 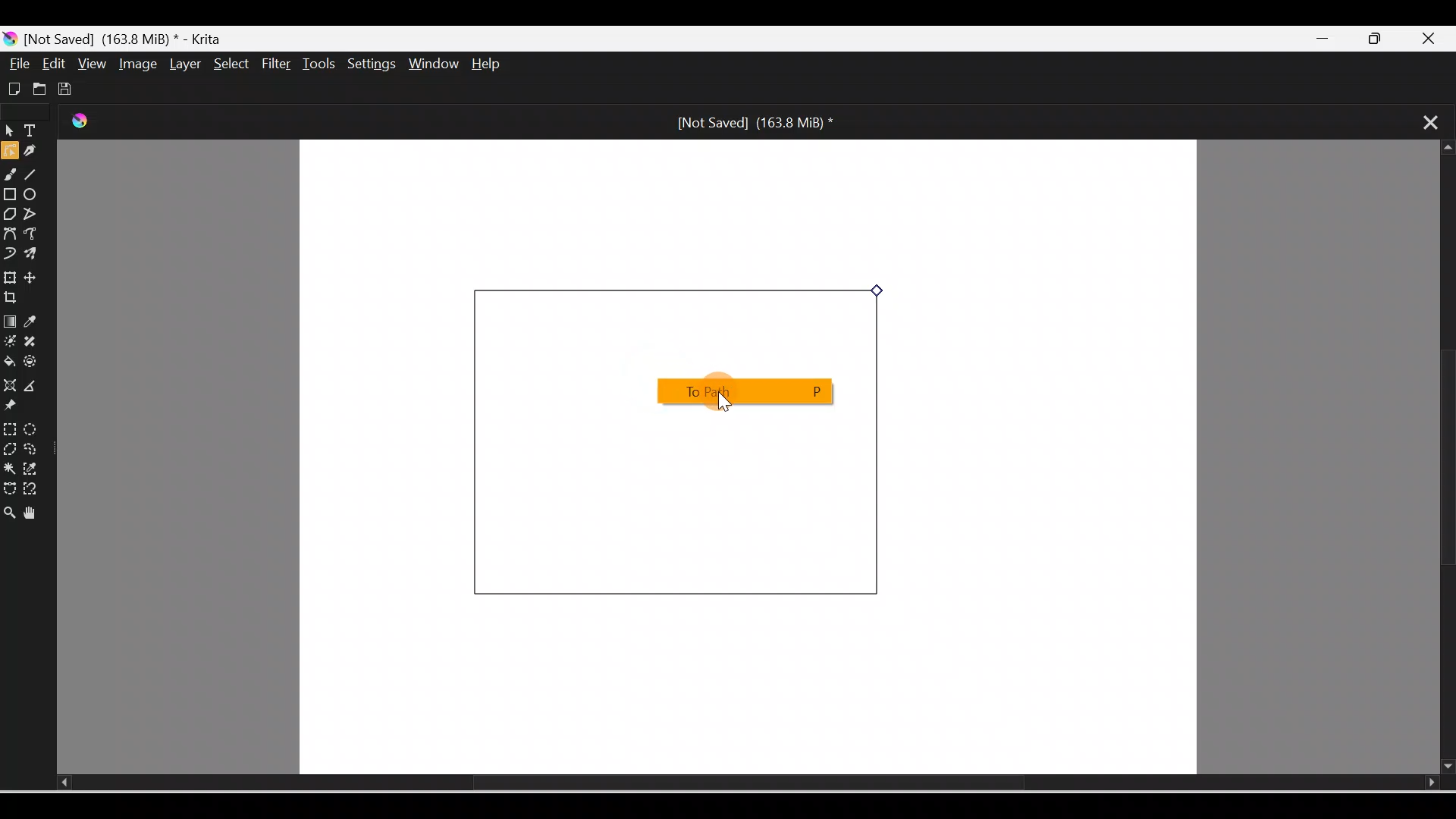 I want to click on Polygon, so click(x=9, y=214).